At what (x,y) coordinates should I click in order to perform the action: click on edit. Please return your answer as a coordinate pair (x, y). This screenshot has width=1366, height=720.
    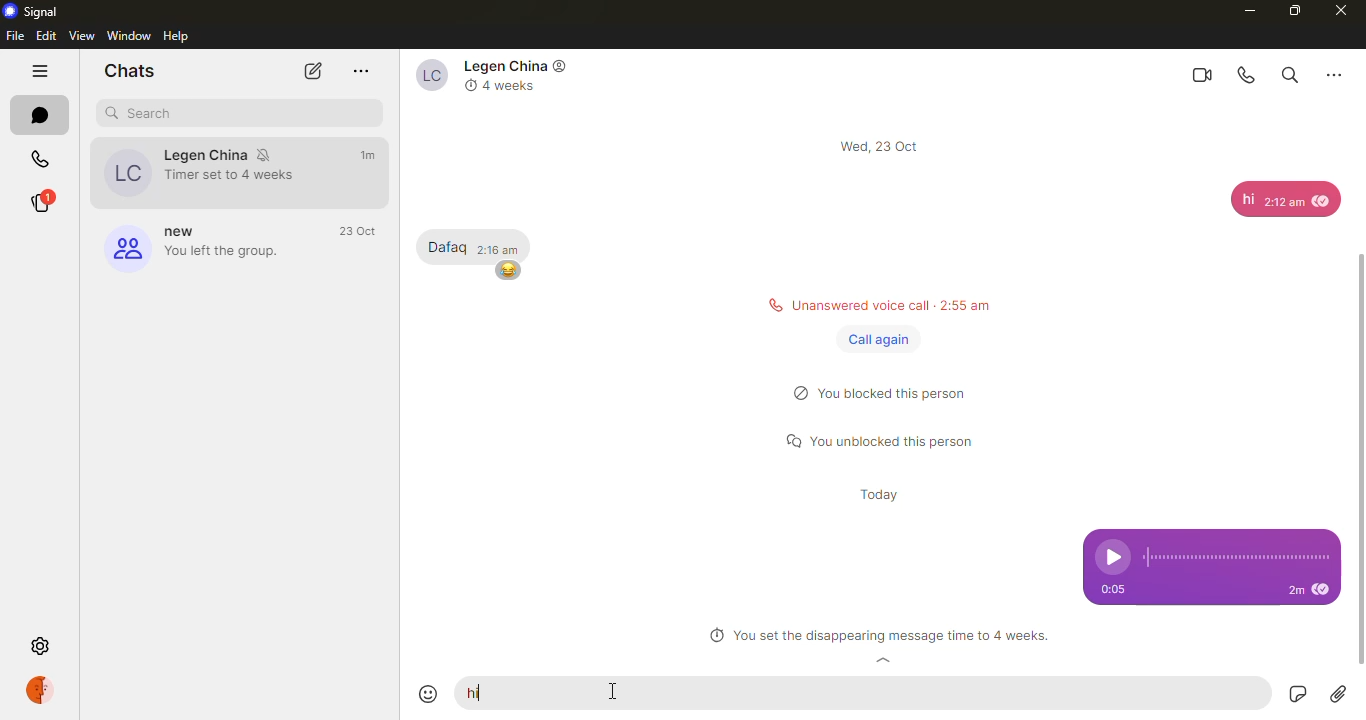
    Looking at the image, I should click on (46, 35).